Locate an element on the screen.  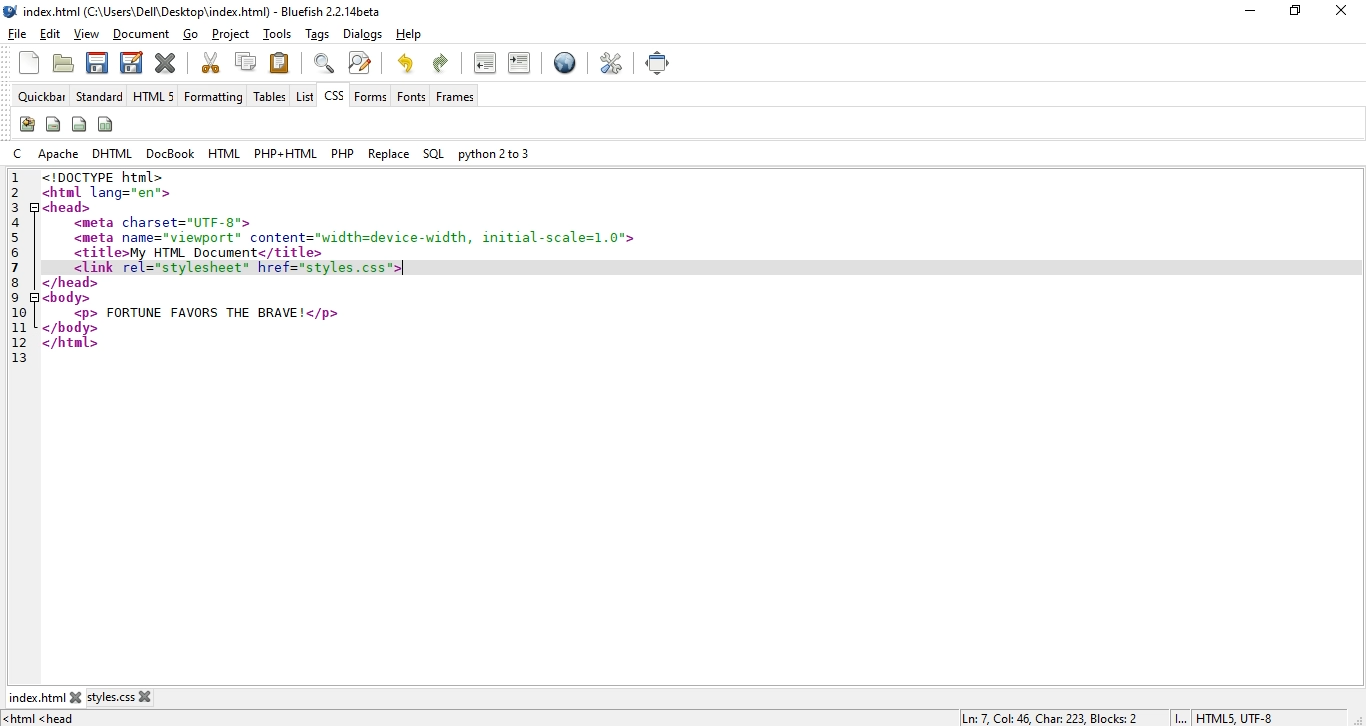
<head> is located at coordinates (68, 207).